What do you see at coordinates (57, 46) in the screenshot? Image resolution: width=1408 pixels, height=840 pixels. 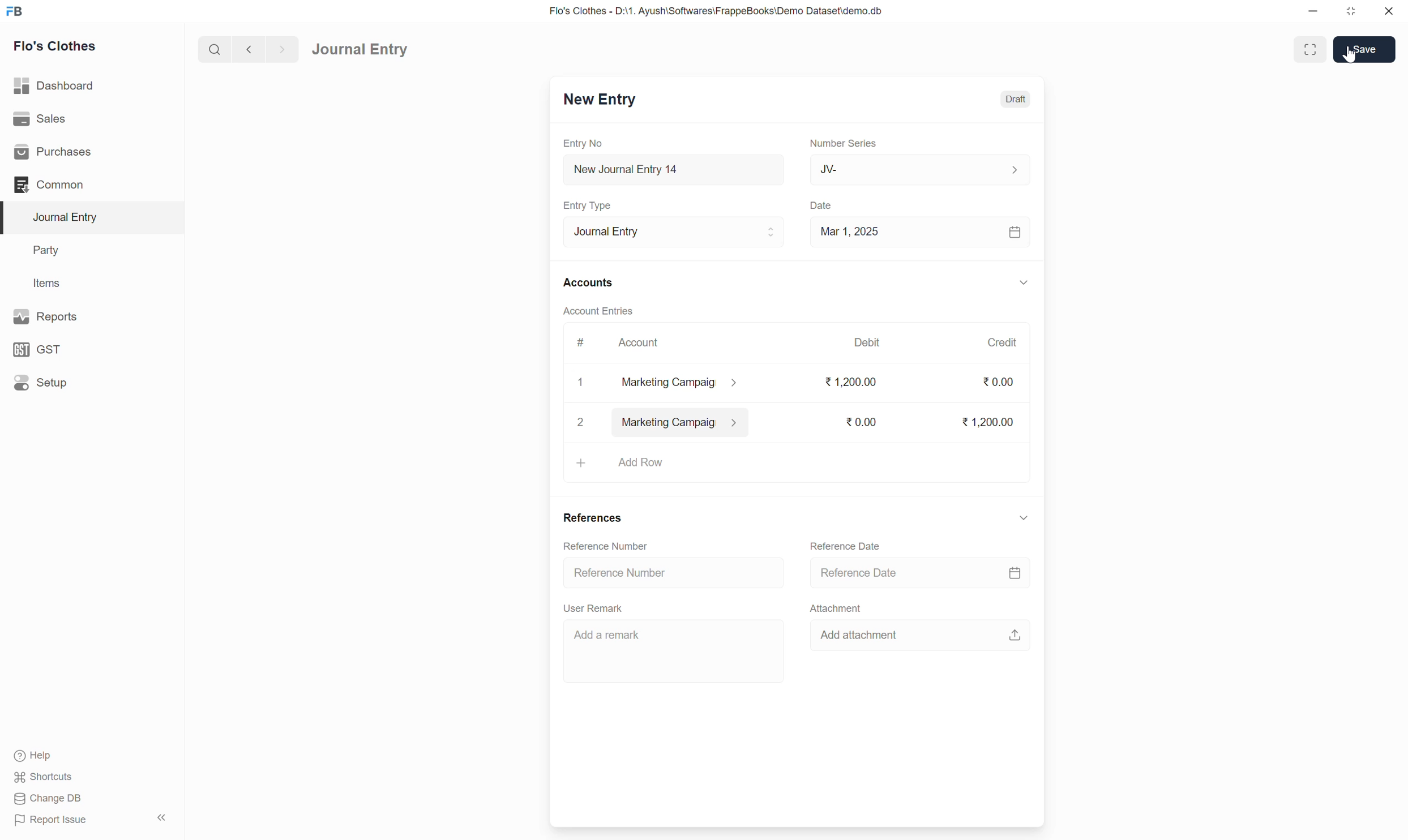 I see `Flo's Clothes` at bounding box center [57, 46].